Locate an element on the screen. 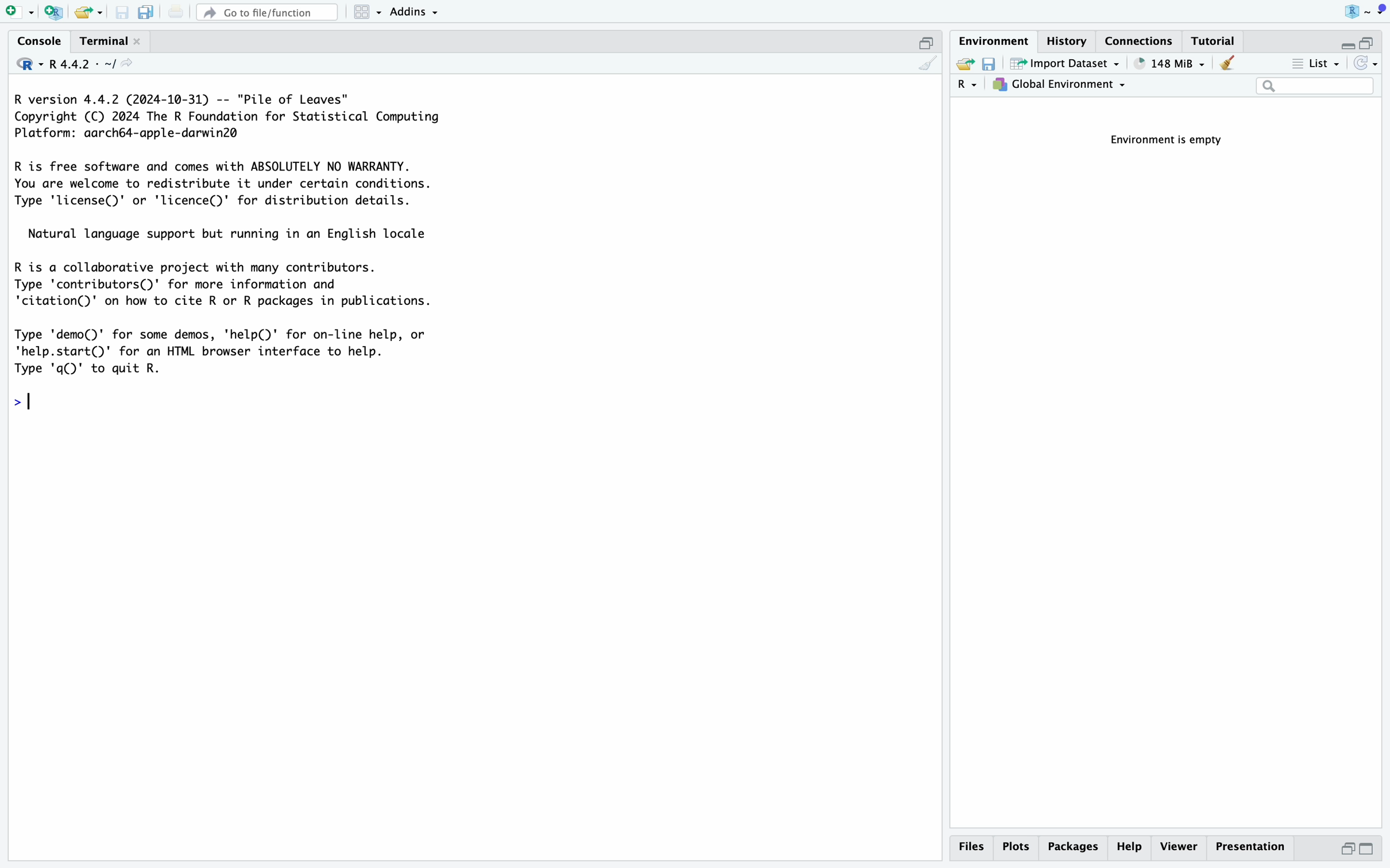 This screenshot has width=1390, height=868. plots is located at coordinates (1016, 847).